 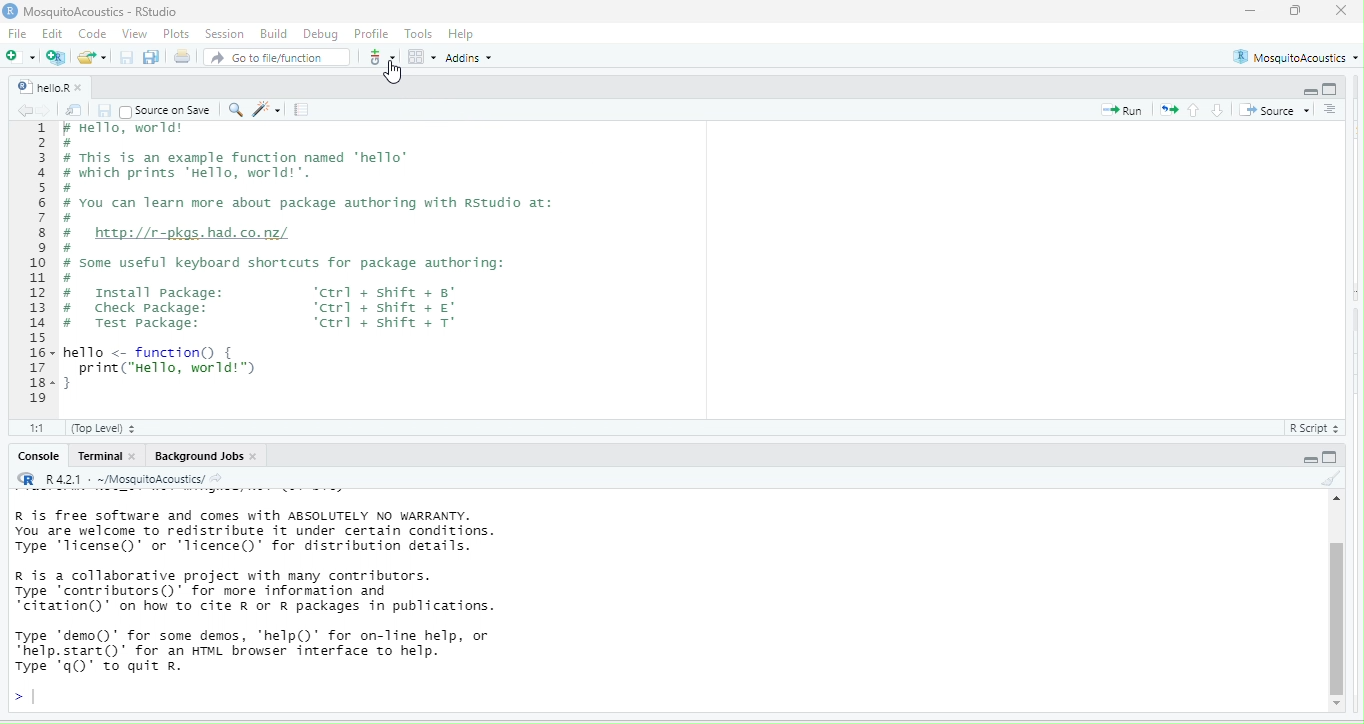 I want to click on close, so click(x=1341, y=12).